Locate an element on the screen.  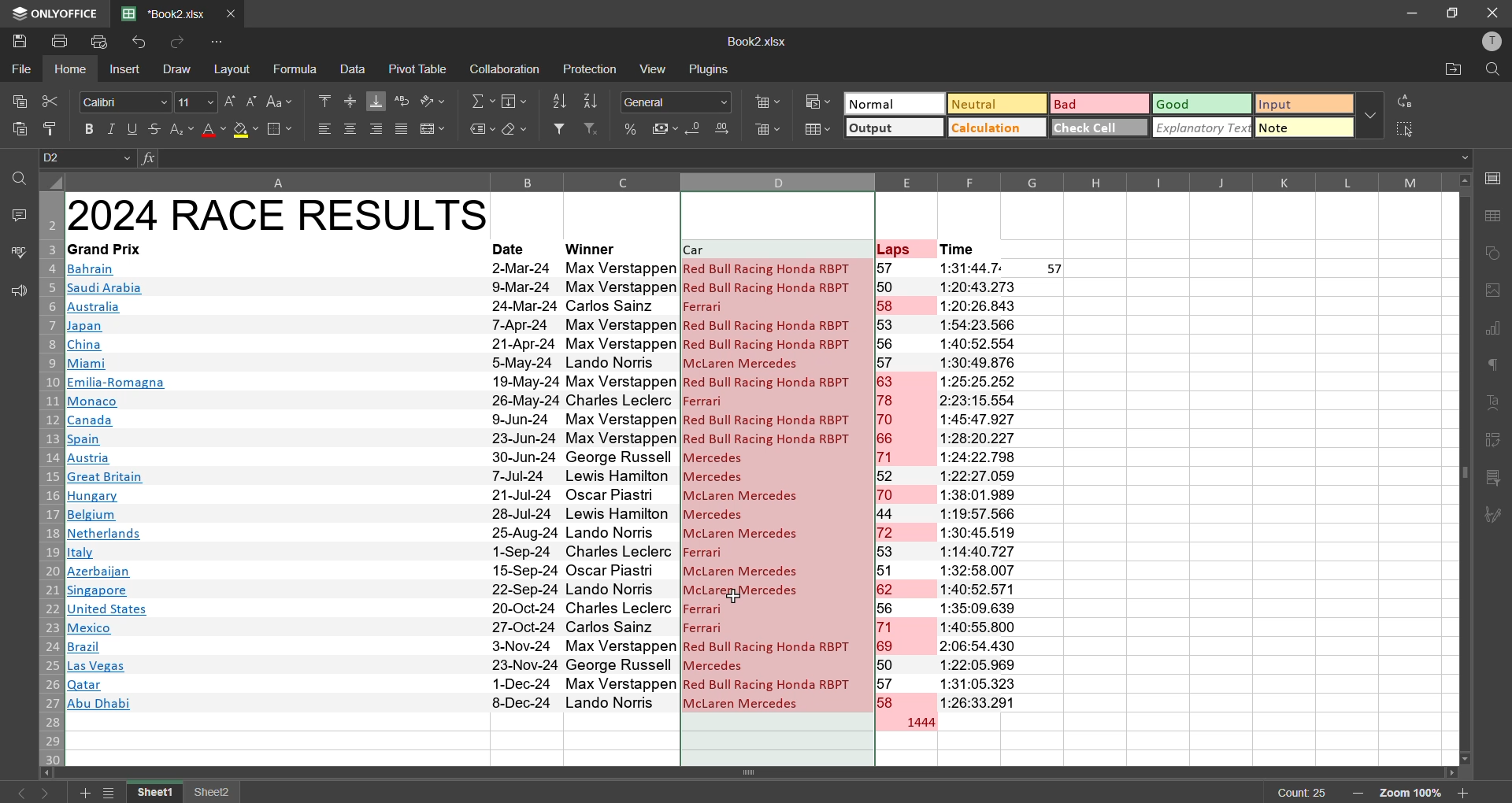
font style is located at coordinates (126, 102).